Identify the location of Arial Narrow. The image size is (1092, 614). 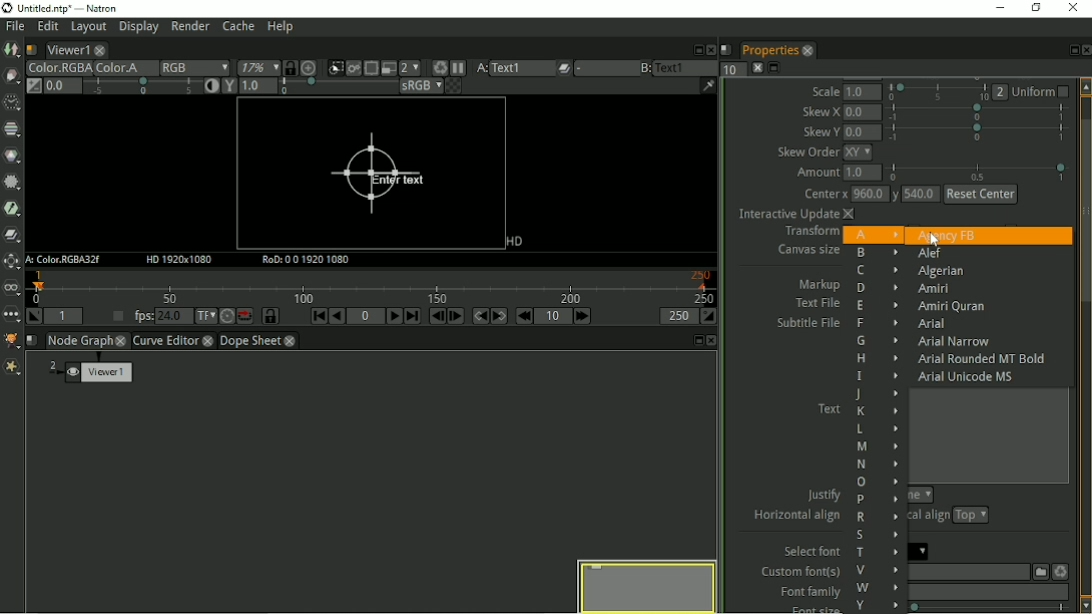
(952, 342).